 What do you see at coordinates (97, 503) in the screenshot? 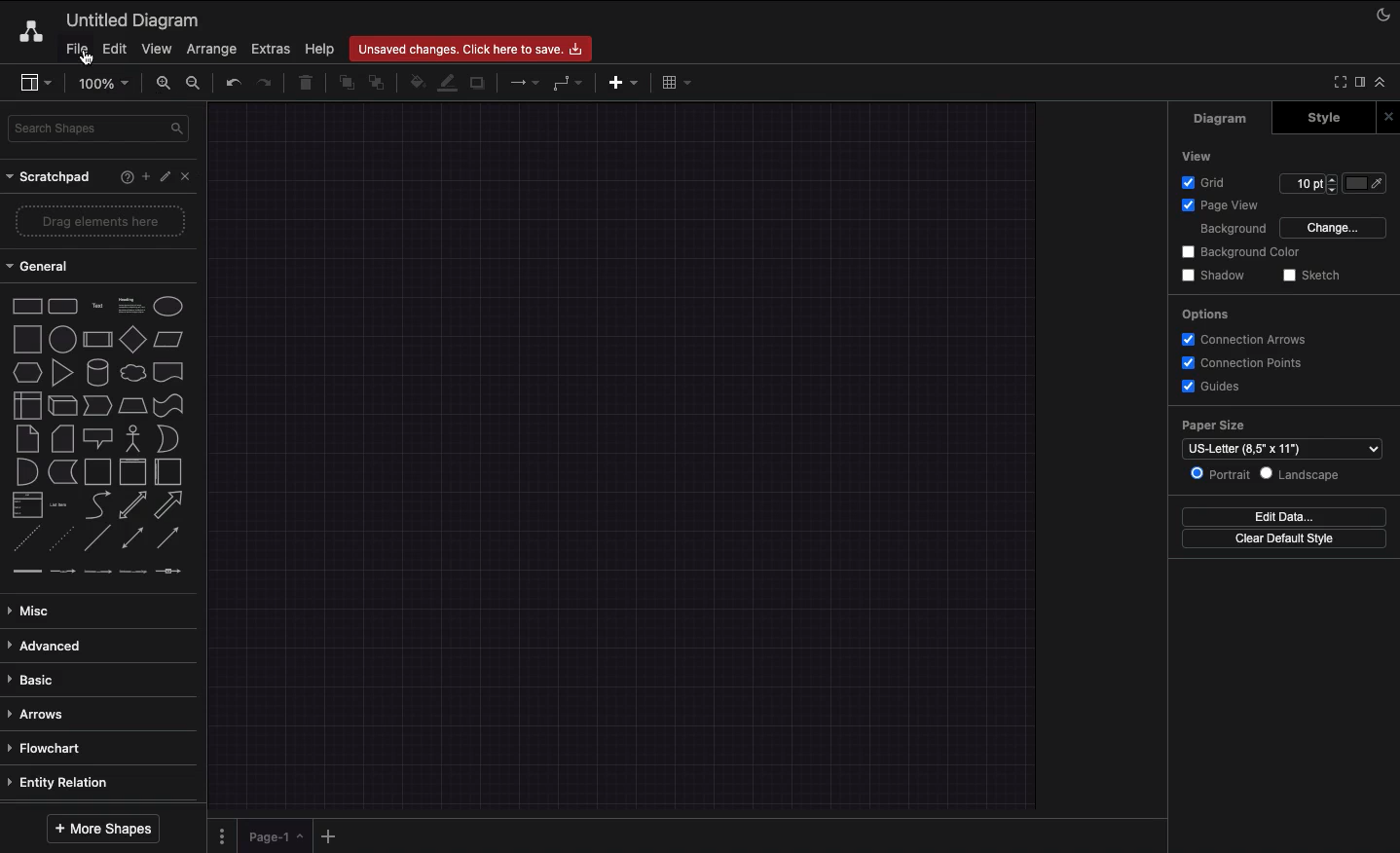
I see `Curved arrow` at bounding box center [97, 503].